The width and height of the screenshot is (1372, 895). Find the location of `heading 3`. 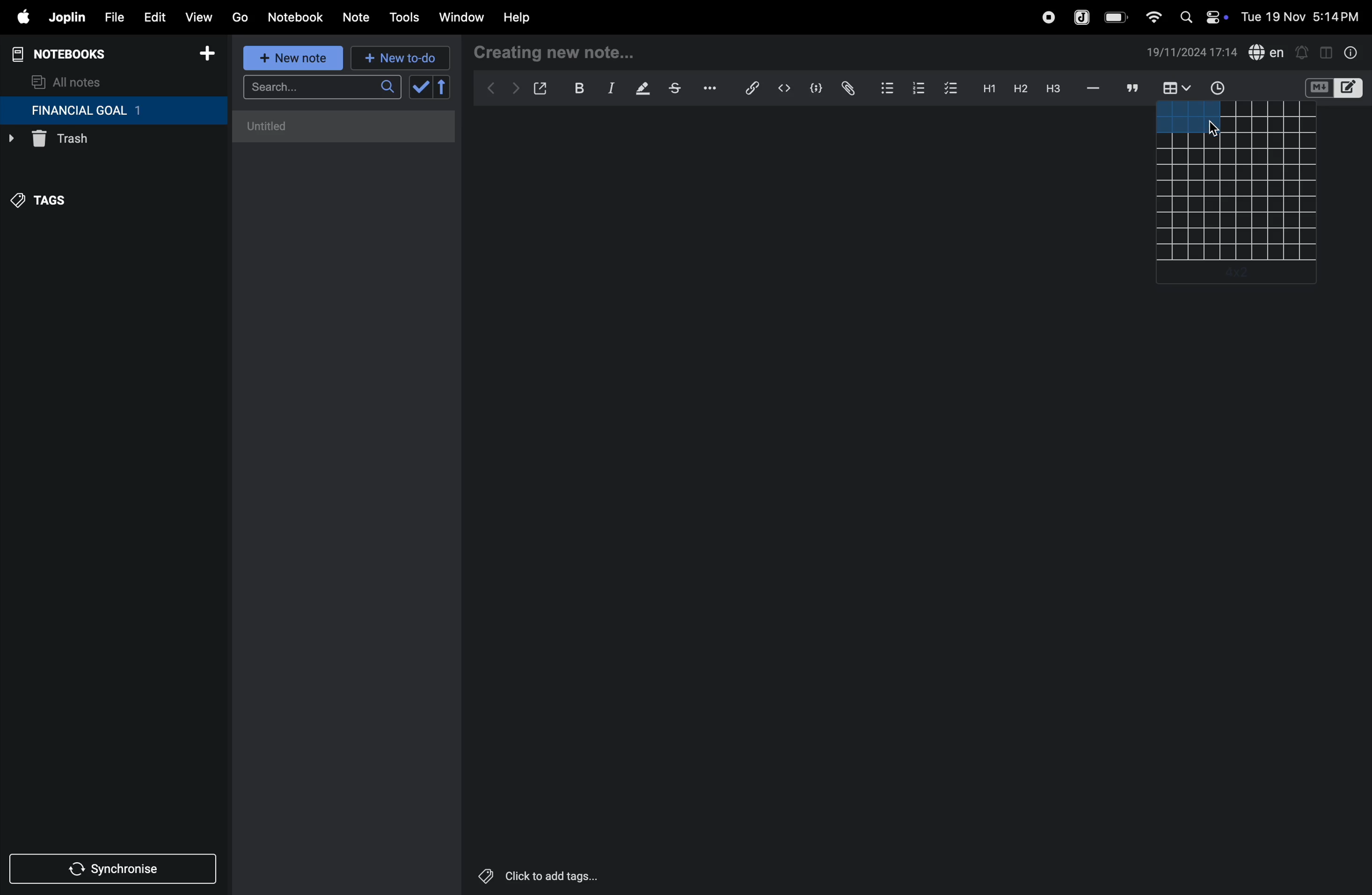

heading 3 is located at coordinates (1053, 89).